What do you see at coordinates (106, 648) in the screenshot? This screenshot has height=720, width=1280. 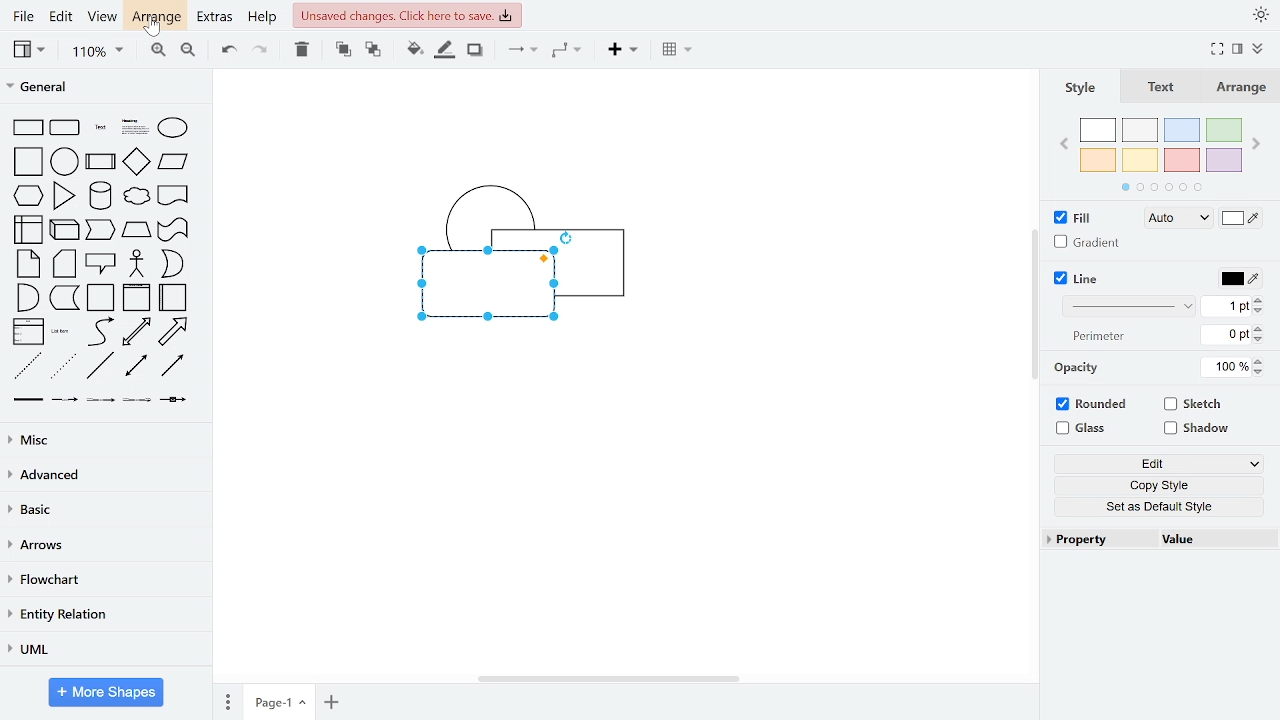 I see `UML` at bounding box center [106, 648].